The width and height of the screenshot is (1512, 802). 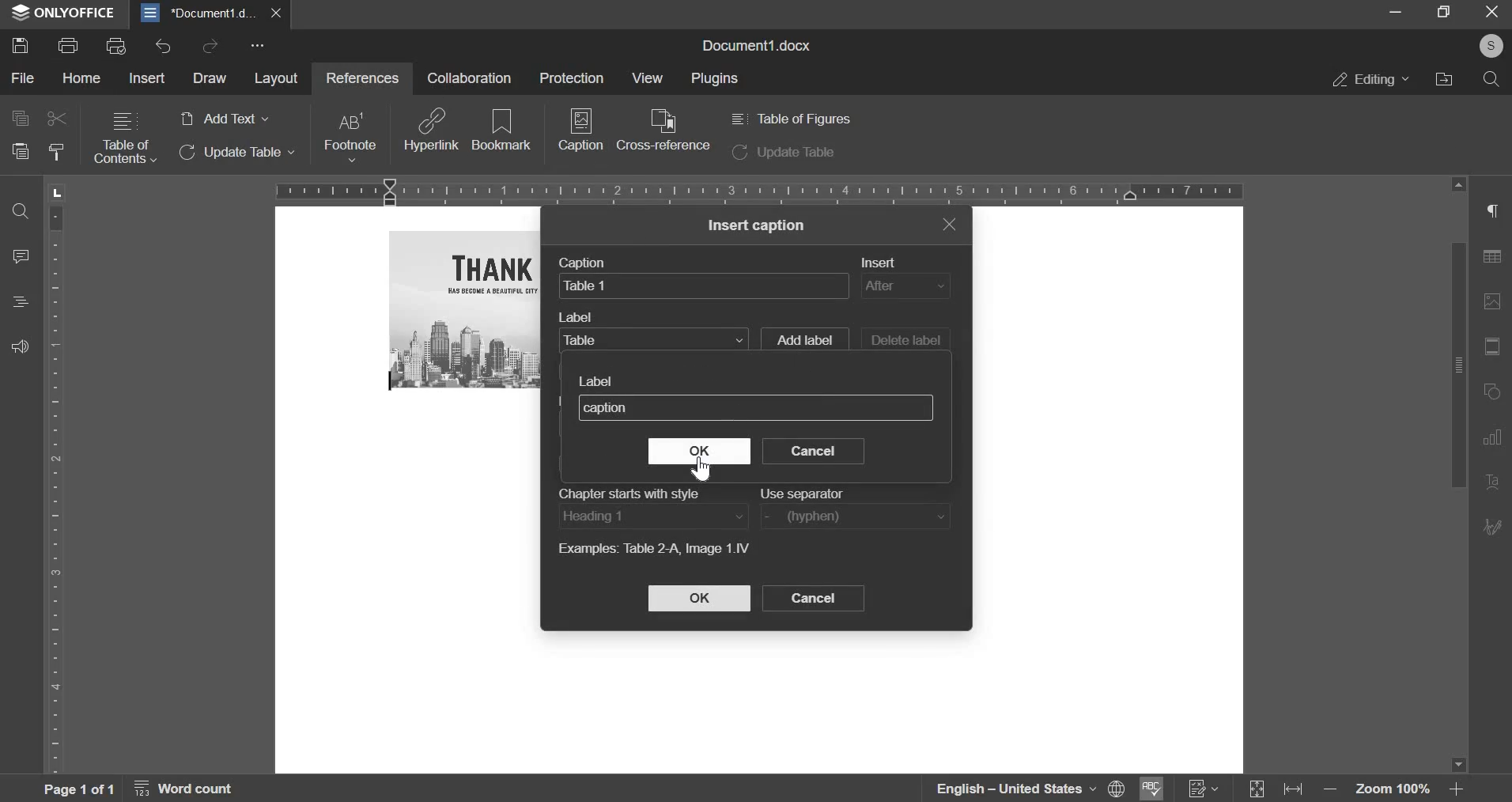 What do you see at coordinates (1493, 13) in the screenshot?
I see `exit` at bounding box center [1493, 13].